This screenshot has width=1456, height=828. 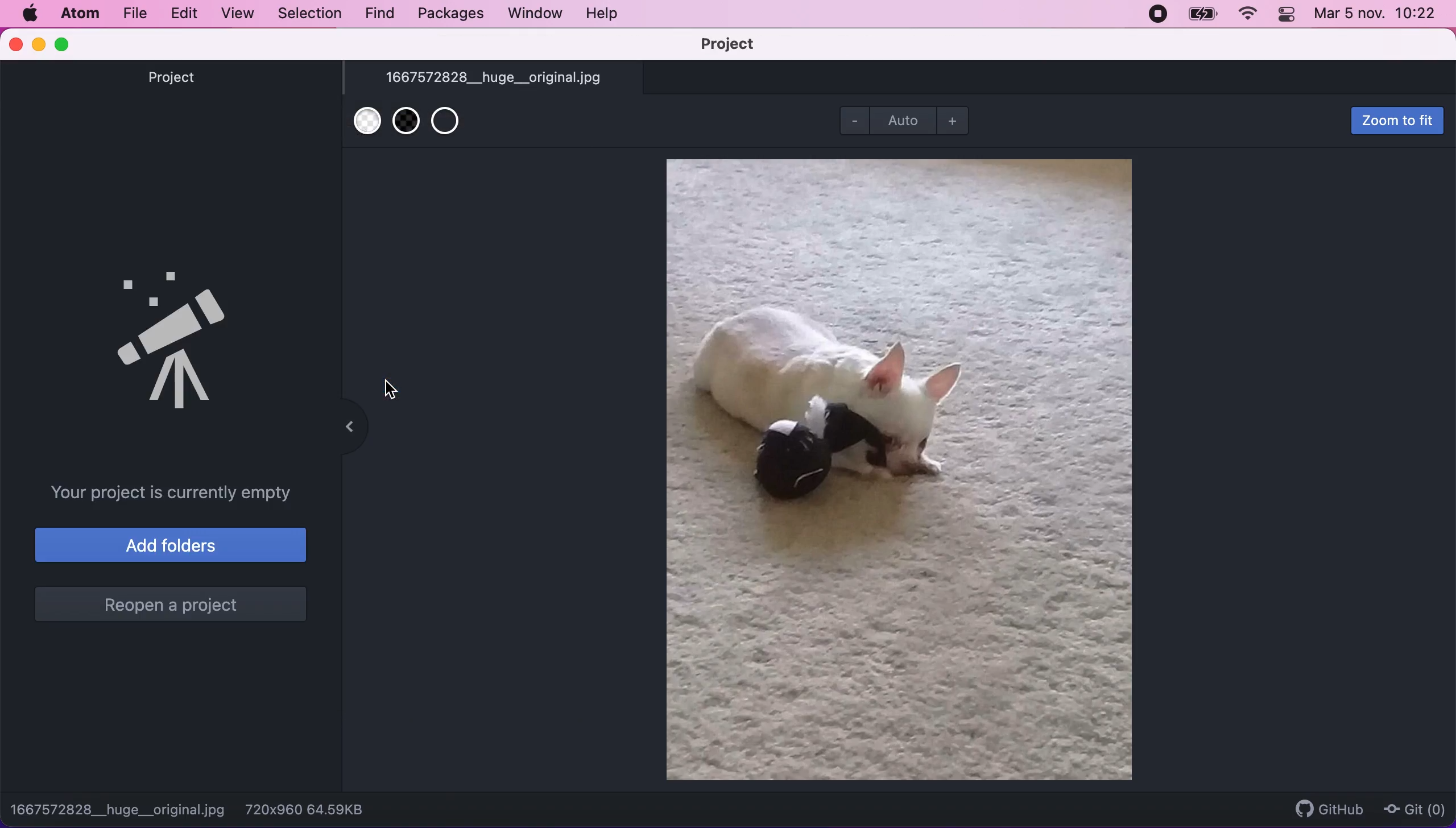 I want to click on 1667572828__huge__original.jpg, so click(x=494, y=78).